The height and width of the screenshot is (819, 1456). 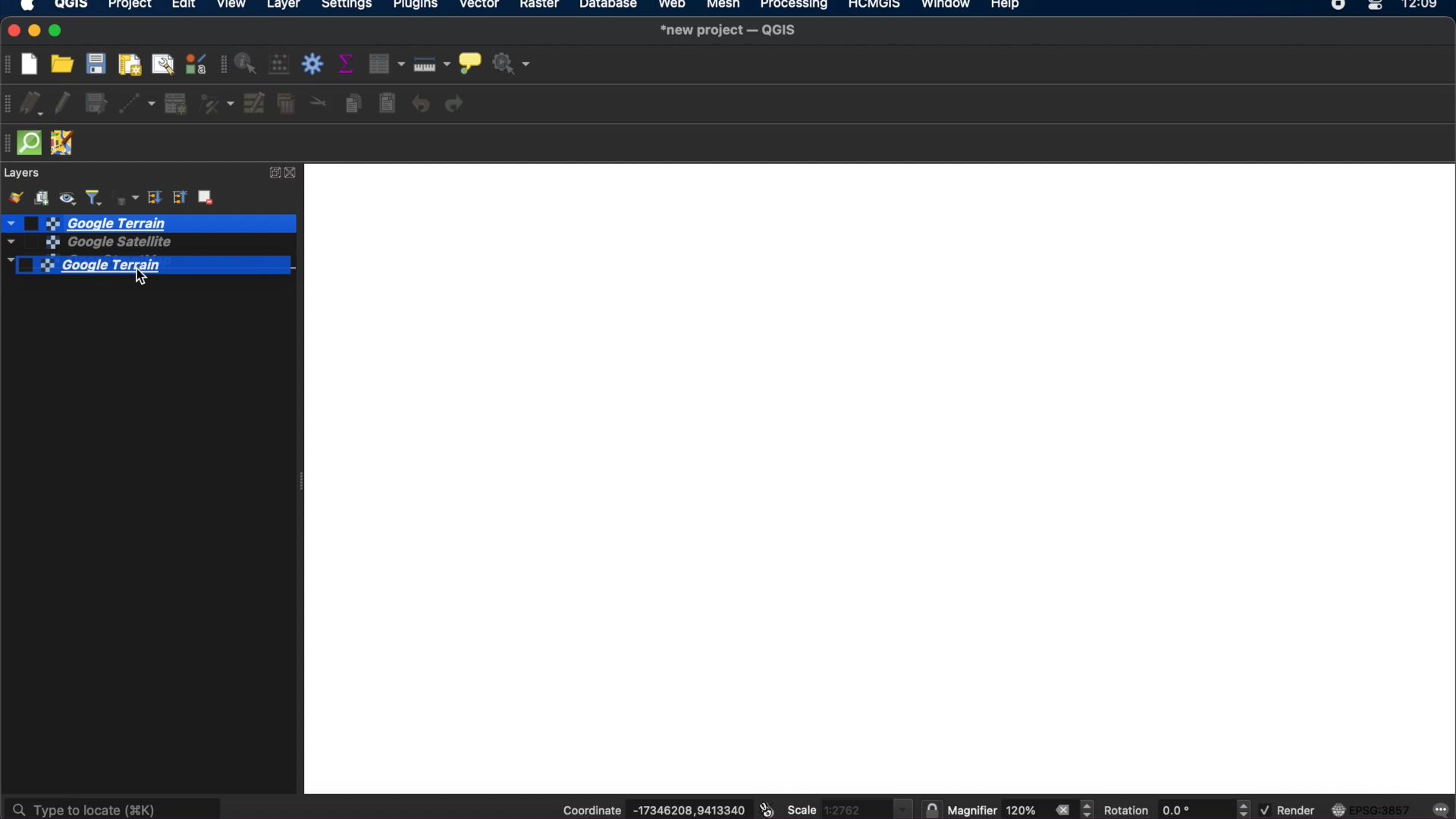 What do you see at coordinates (63, 105) in the screenshot?
I see `toggle editing` at bounding box center [63, 105].